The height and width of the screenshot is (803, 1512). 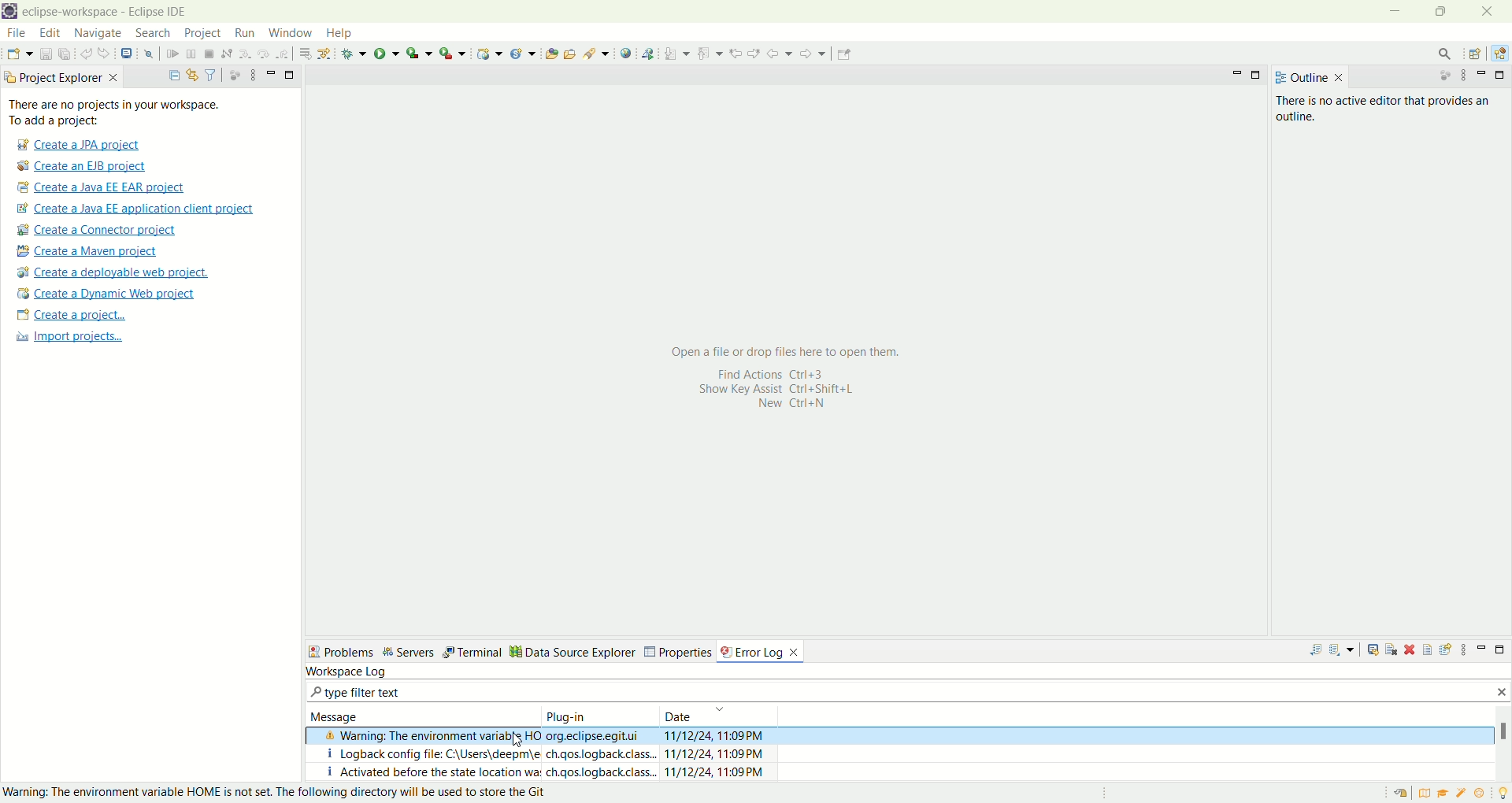 I want to click on step over, so click(x=261, y=54).